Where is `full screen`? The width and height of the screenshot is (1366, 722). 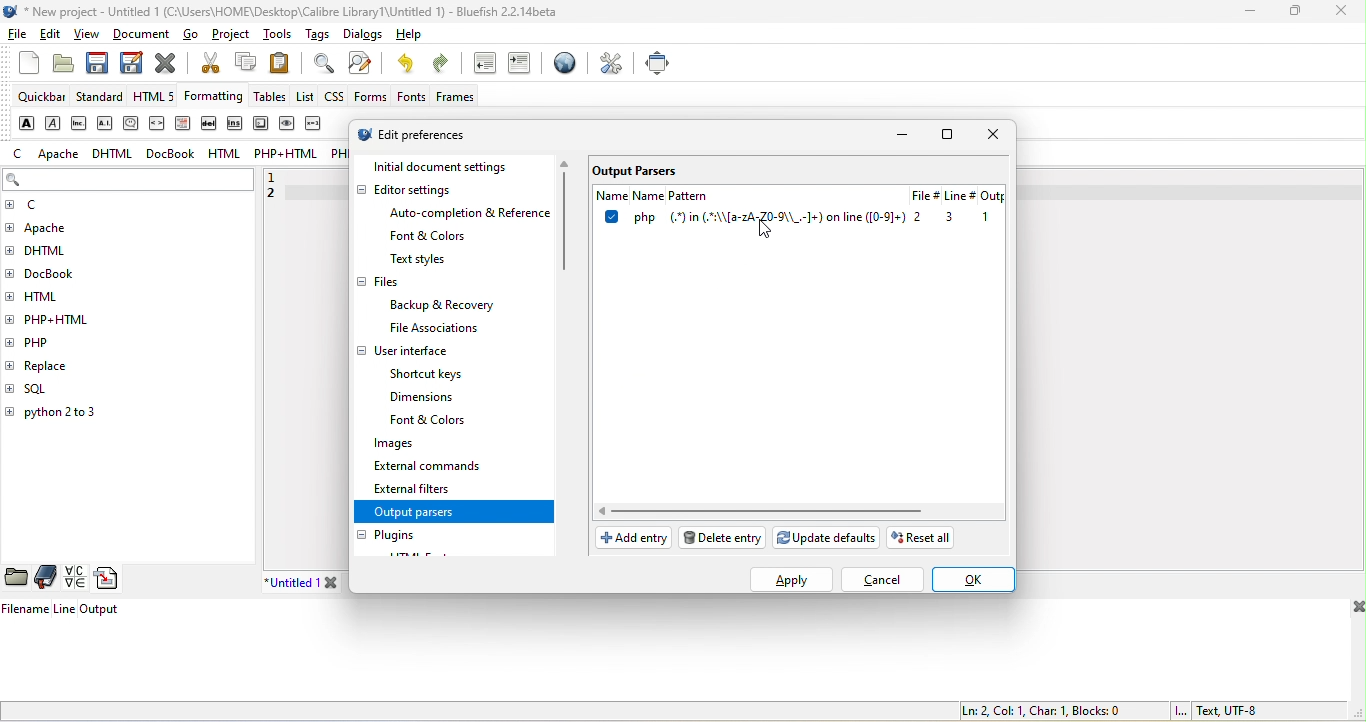 full screen is located at coordinates (658, 62).